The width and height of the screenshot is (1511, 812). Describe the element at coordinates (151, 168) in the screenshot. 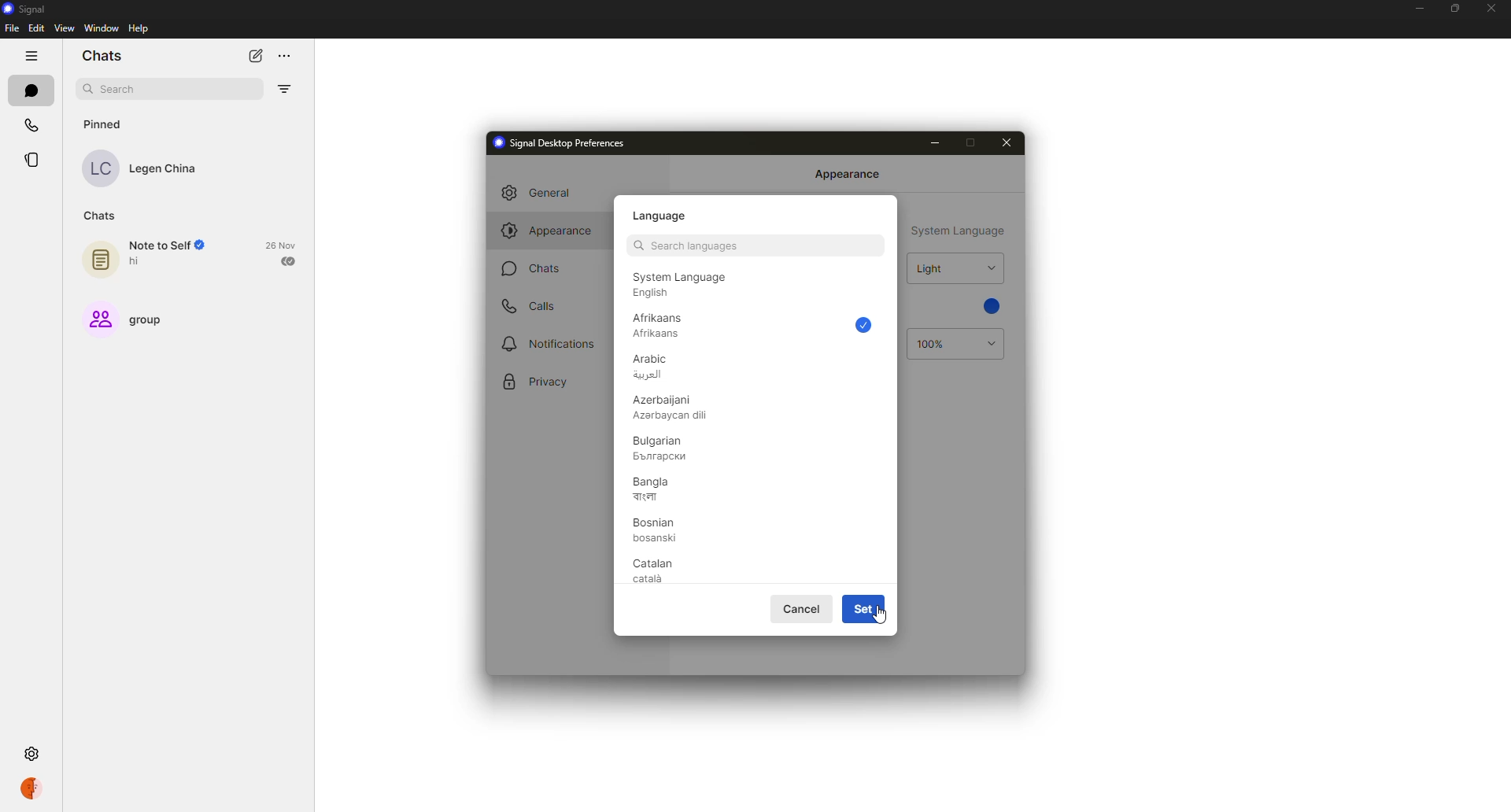

I see `contact` at that location.